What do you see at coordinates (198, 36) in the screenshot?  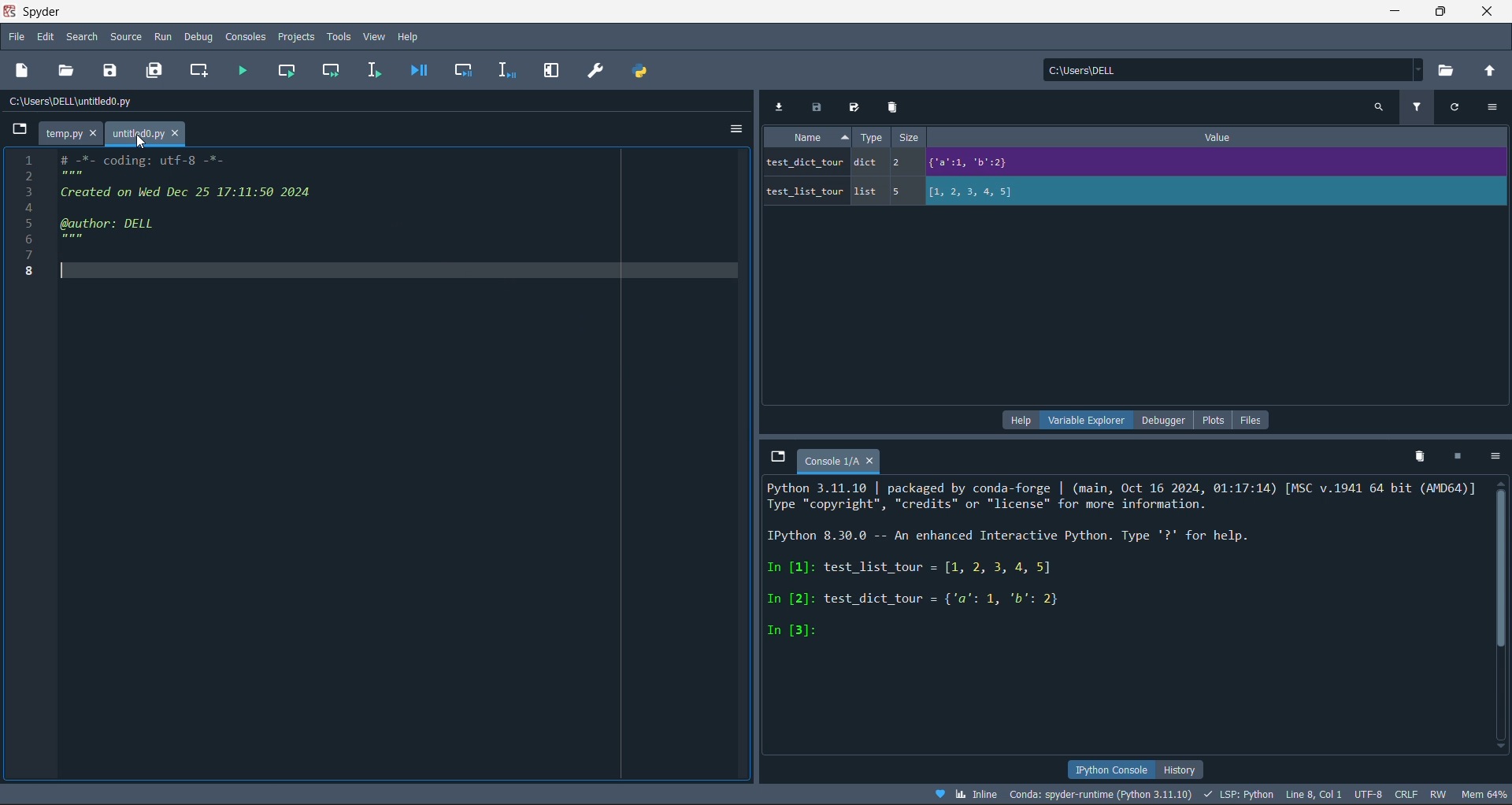 I see `debug` at bounding box center [198, 36].